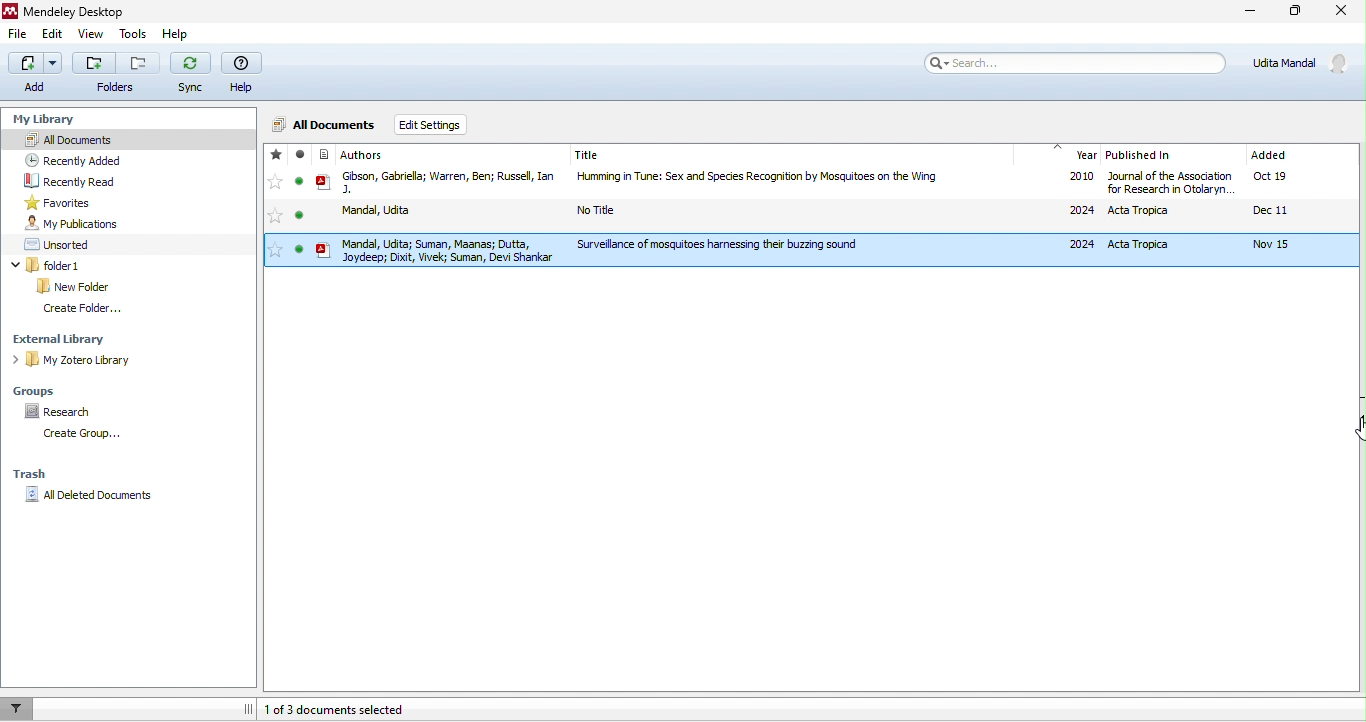 This screenshot has height=722, width=1366. I want to click on my library, so click(55, 121).